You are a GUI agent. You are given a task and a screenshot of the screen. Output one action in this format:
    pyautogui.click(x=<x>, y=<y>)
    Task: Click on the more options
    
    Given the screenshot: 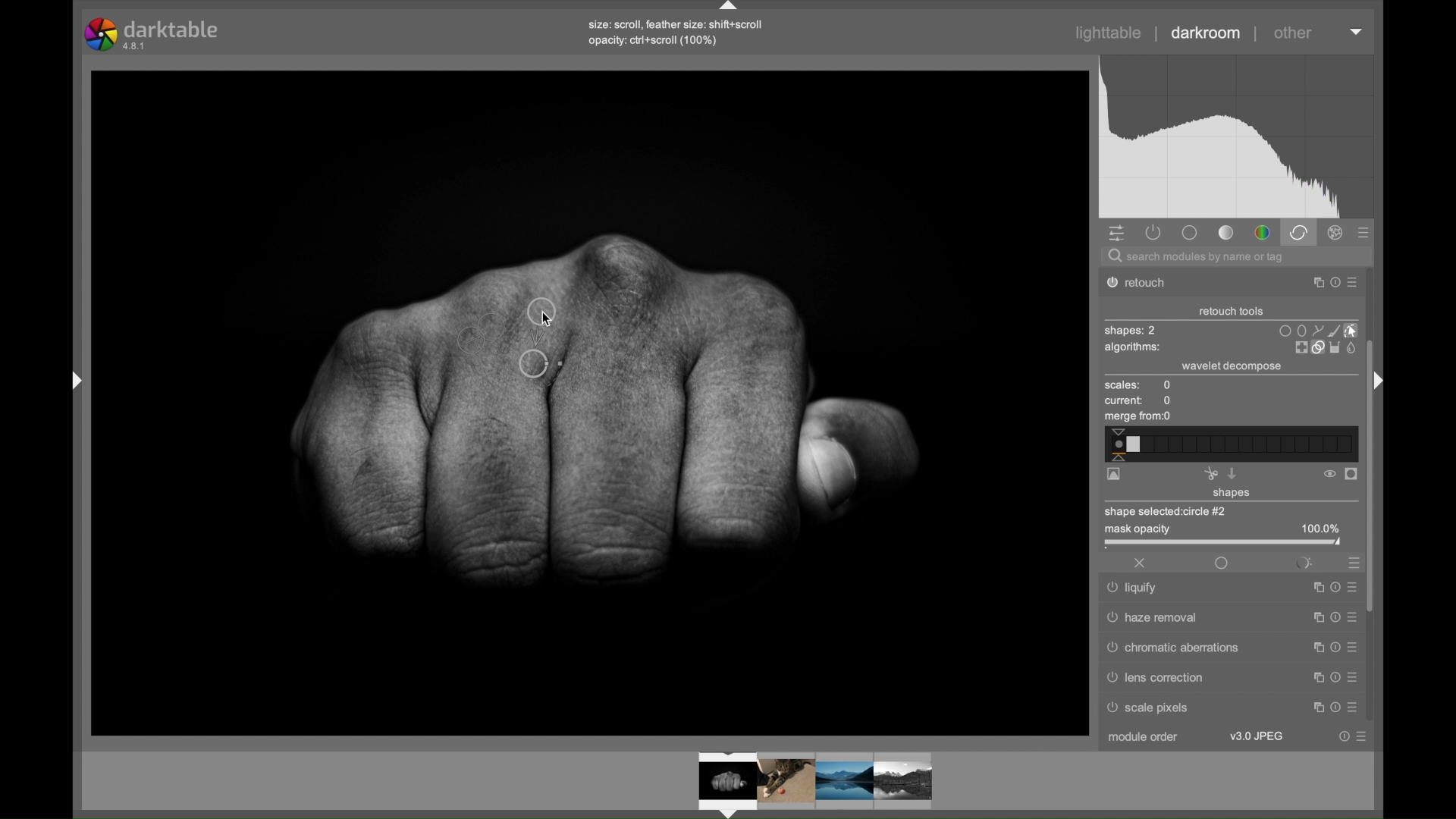 What is the action you would take?
    pyautogui.click(x=1352, y=585)
    